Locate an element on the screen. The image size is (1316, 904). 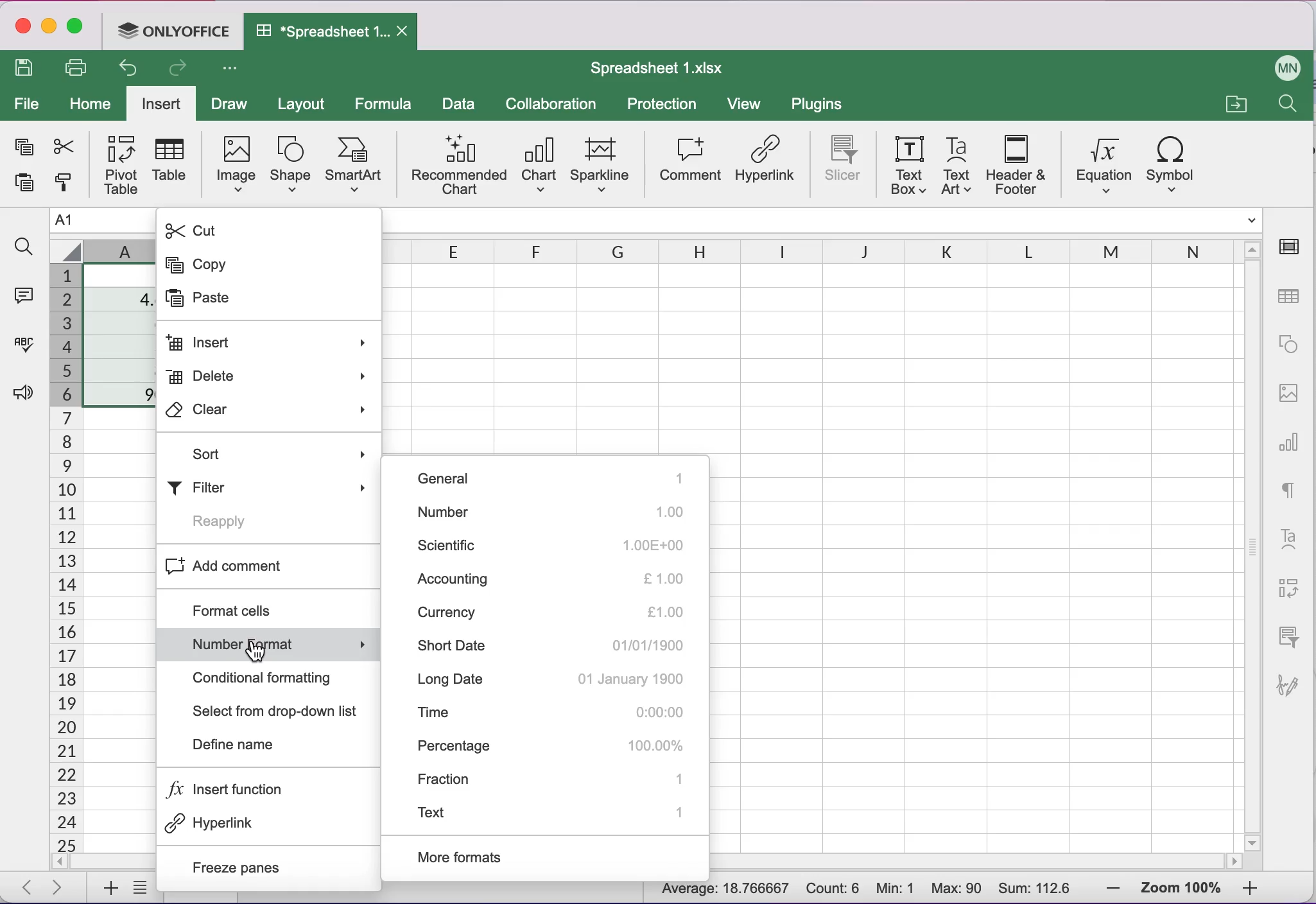
Name manager A1 is located at coordinates (103, 222).